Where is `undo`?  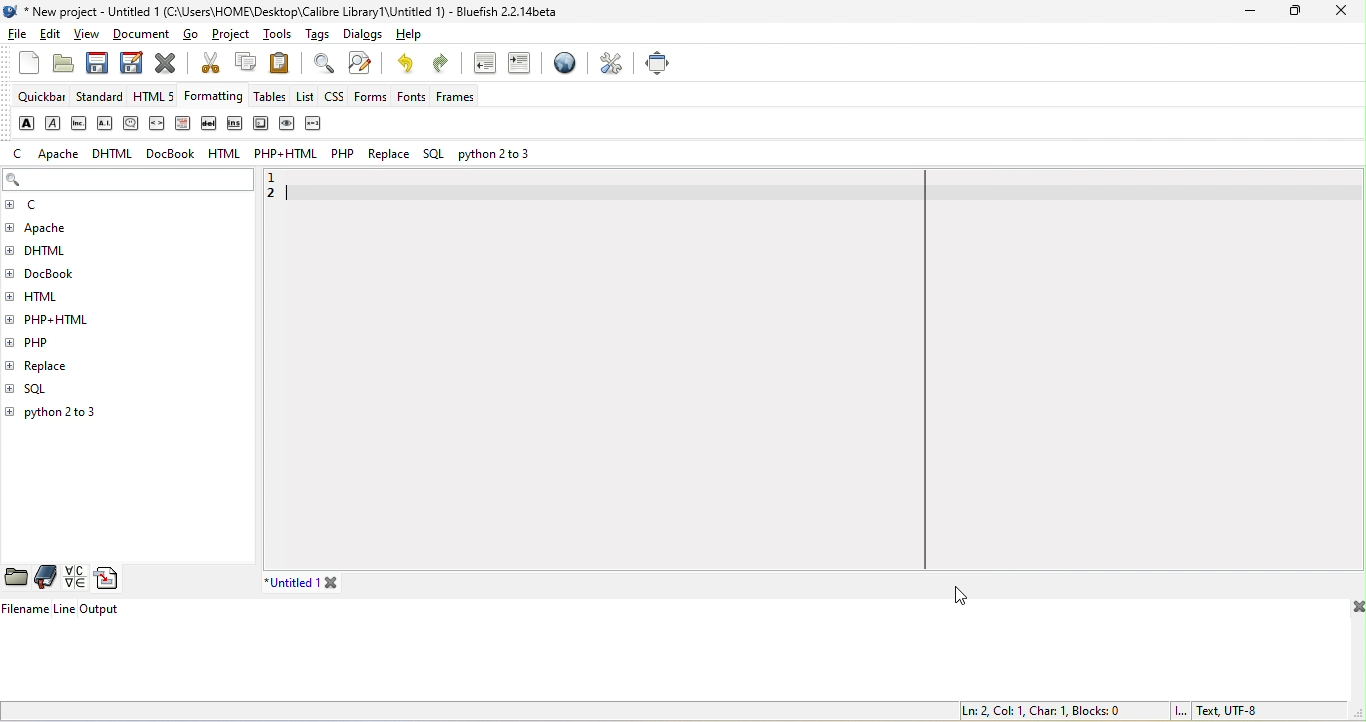
undo is located at coordinates (409, 65).